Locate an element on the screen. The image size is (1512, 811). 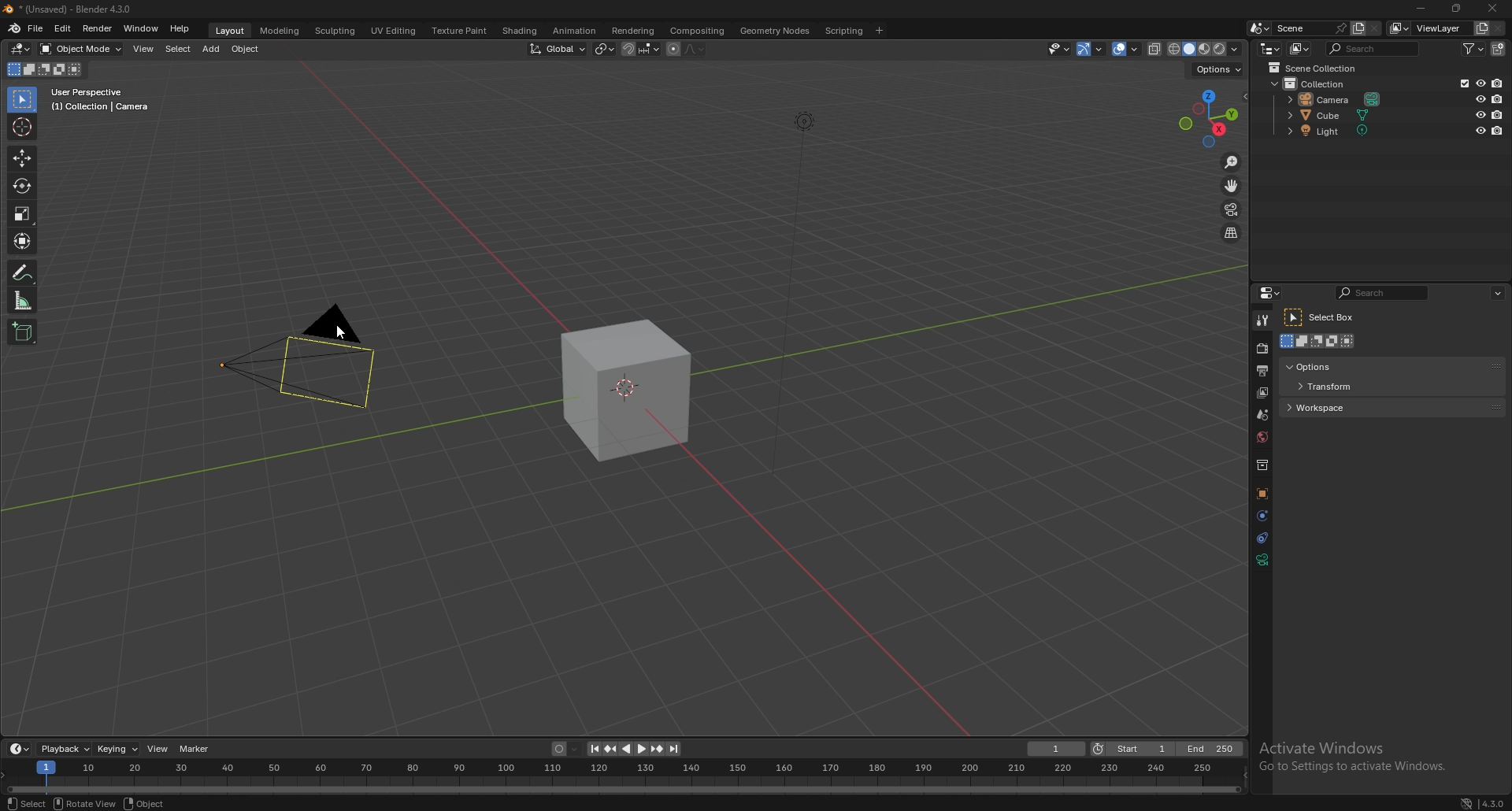
data is located at coordinates (1262, 560).